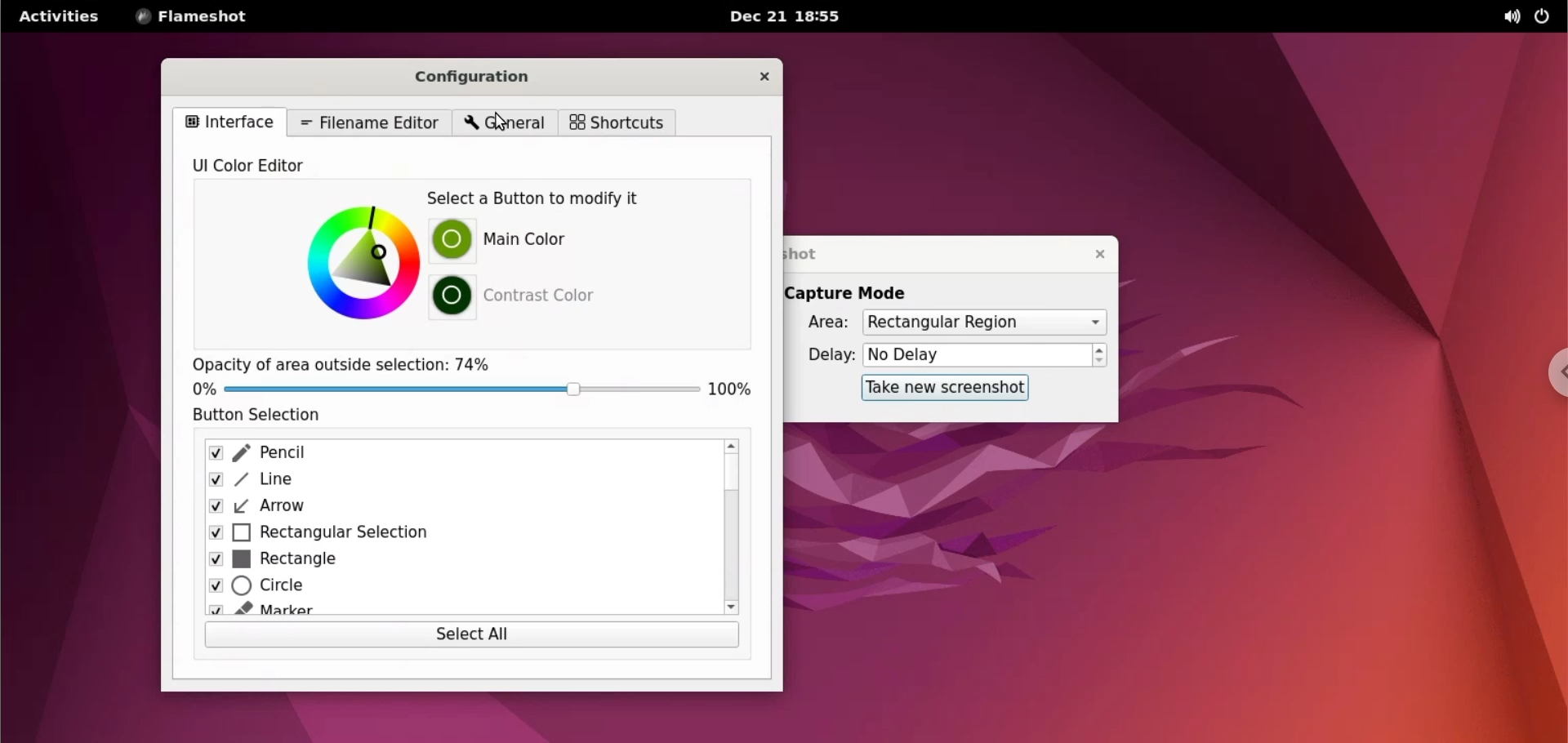  What do you see at coordinates (982, 323) in the screenshot?
I see `Rectangular Region` at bounding box center [982, 323].